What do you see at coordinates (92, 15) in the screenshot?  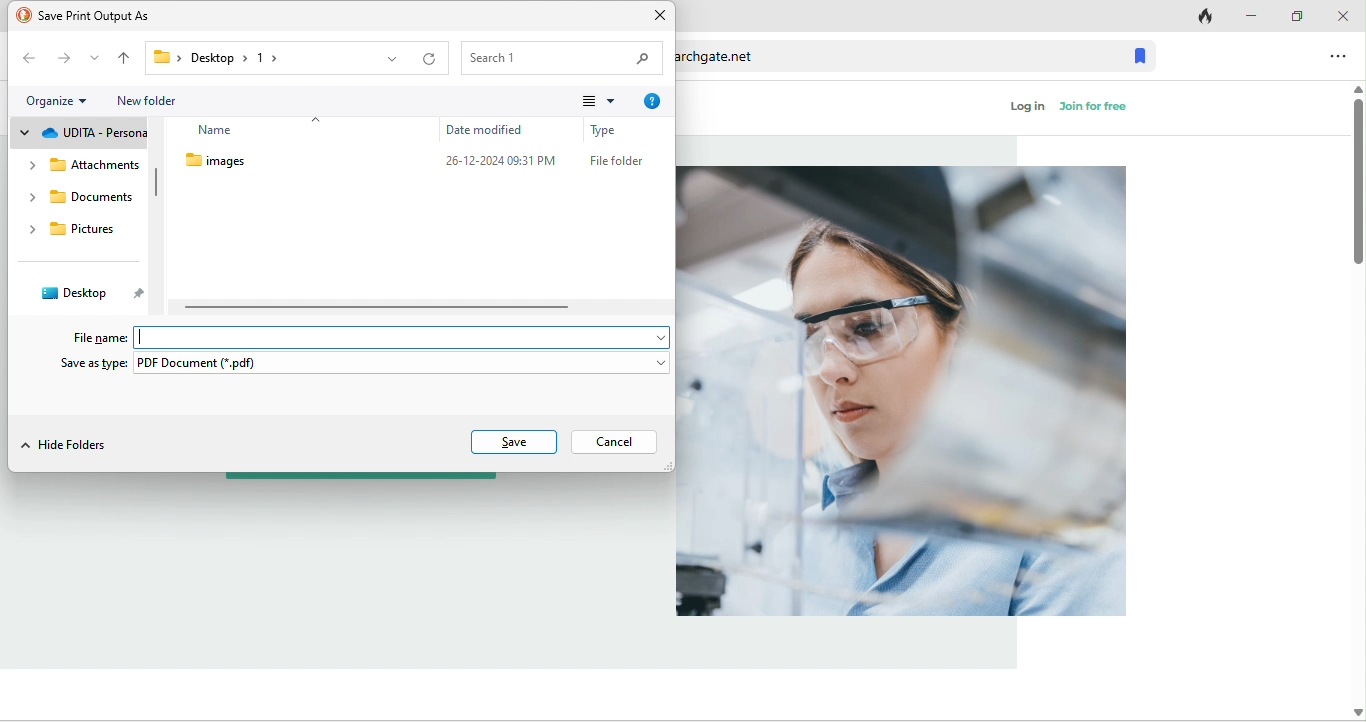 I see `save print output as` at bounding box center [92, 15].